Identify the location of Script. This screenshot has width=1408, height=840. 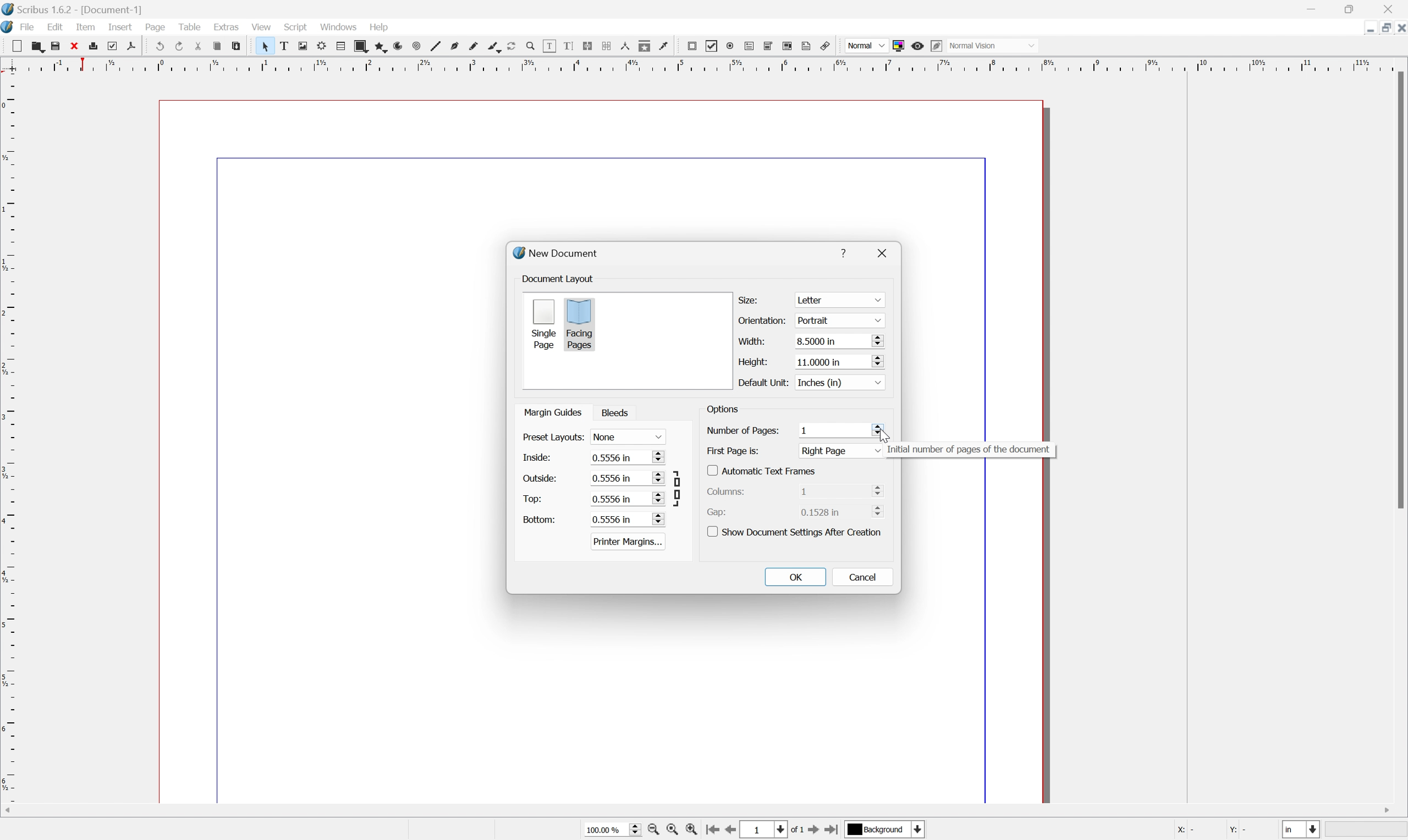
(296, 28).